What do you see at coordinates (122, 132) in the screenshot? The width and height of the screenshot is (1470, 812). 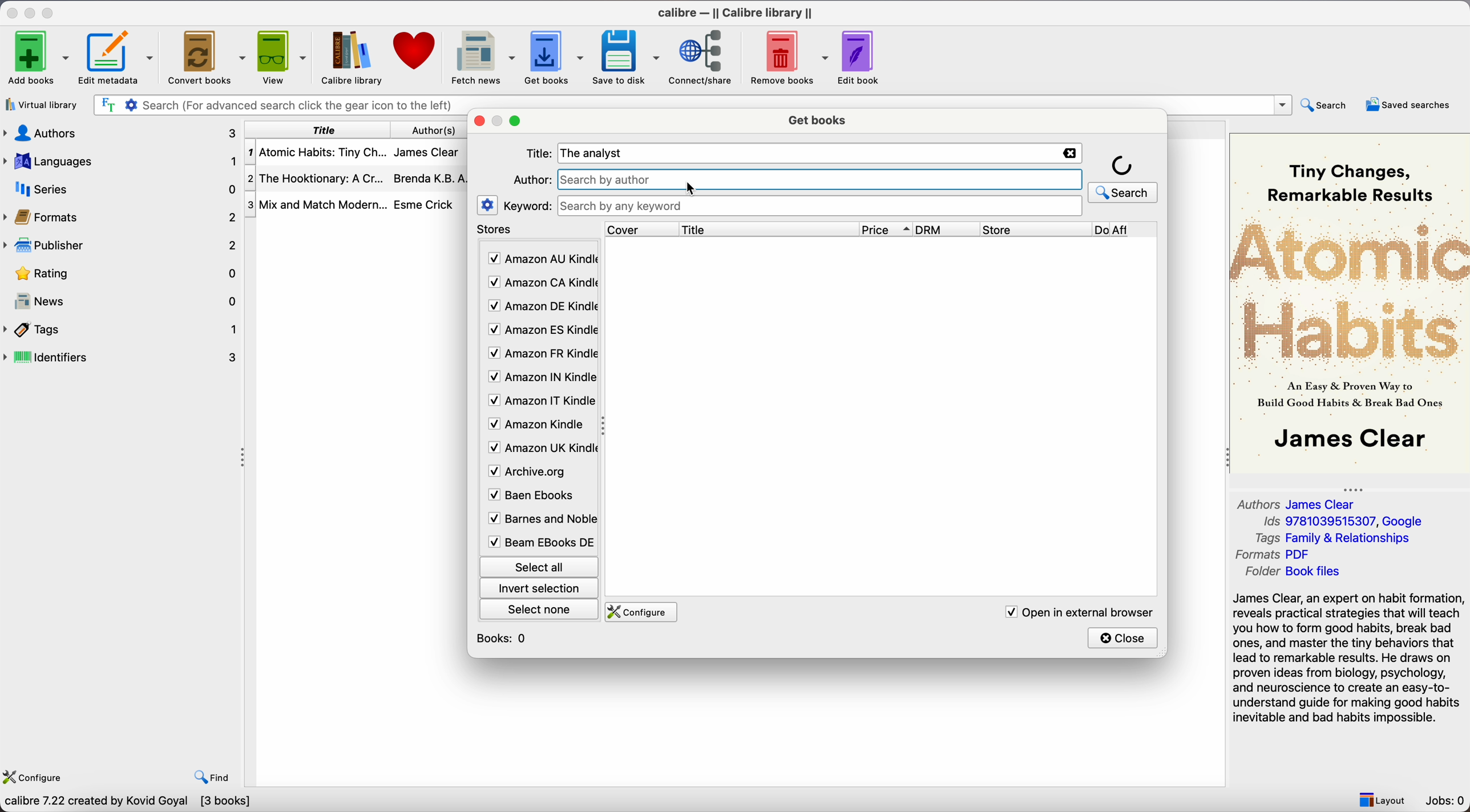 I see `authors` at bounding box center [122, 132].